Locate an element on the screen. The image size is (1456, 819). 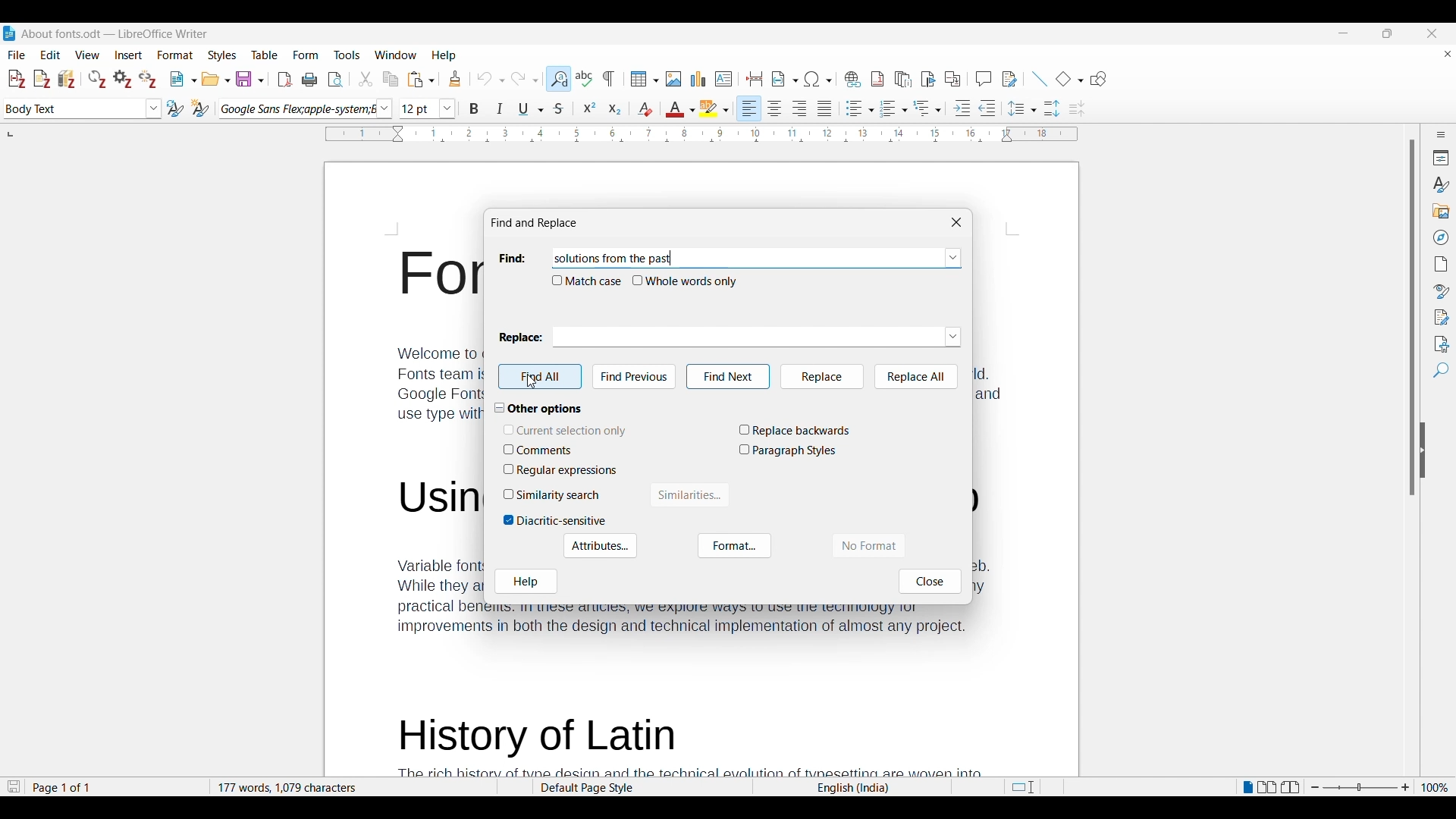
 is located at coordinates (990, 483).